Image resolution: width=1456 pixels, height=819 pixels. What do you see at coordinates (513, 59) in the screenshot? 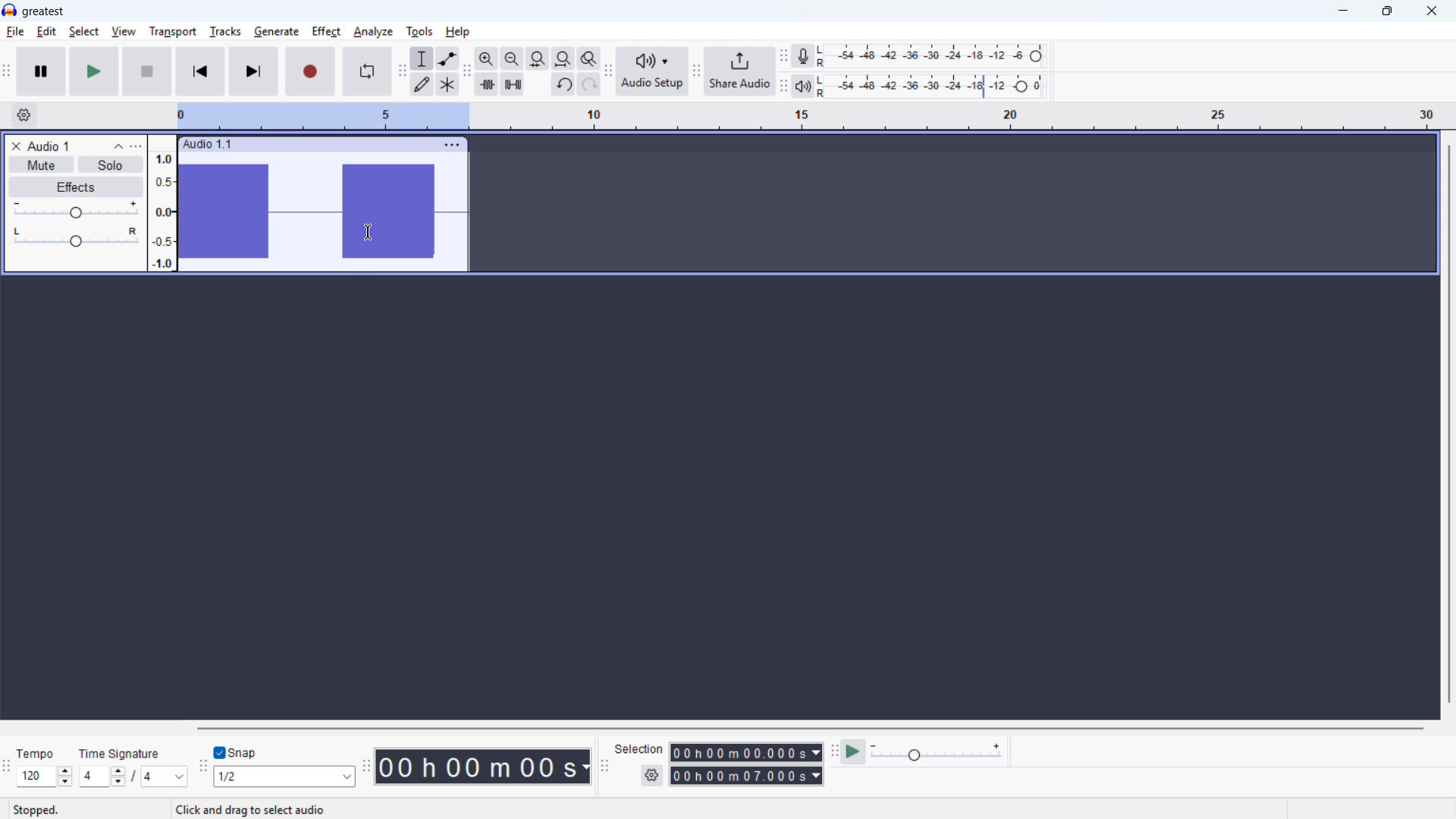
I see `Zoom out ` at bounding box center [513, 59].